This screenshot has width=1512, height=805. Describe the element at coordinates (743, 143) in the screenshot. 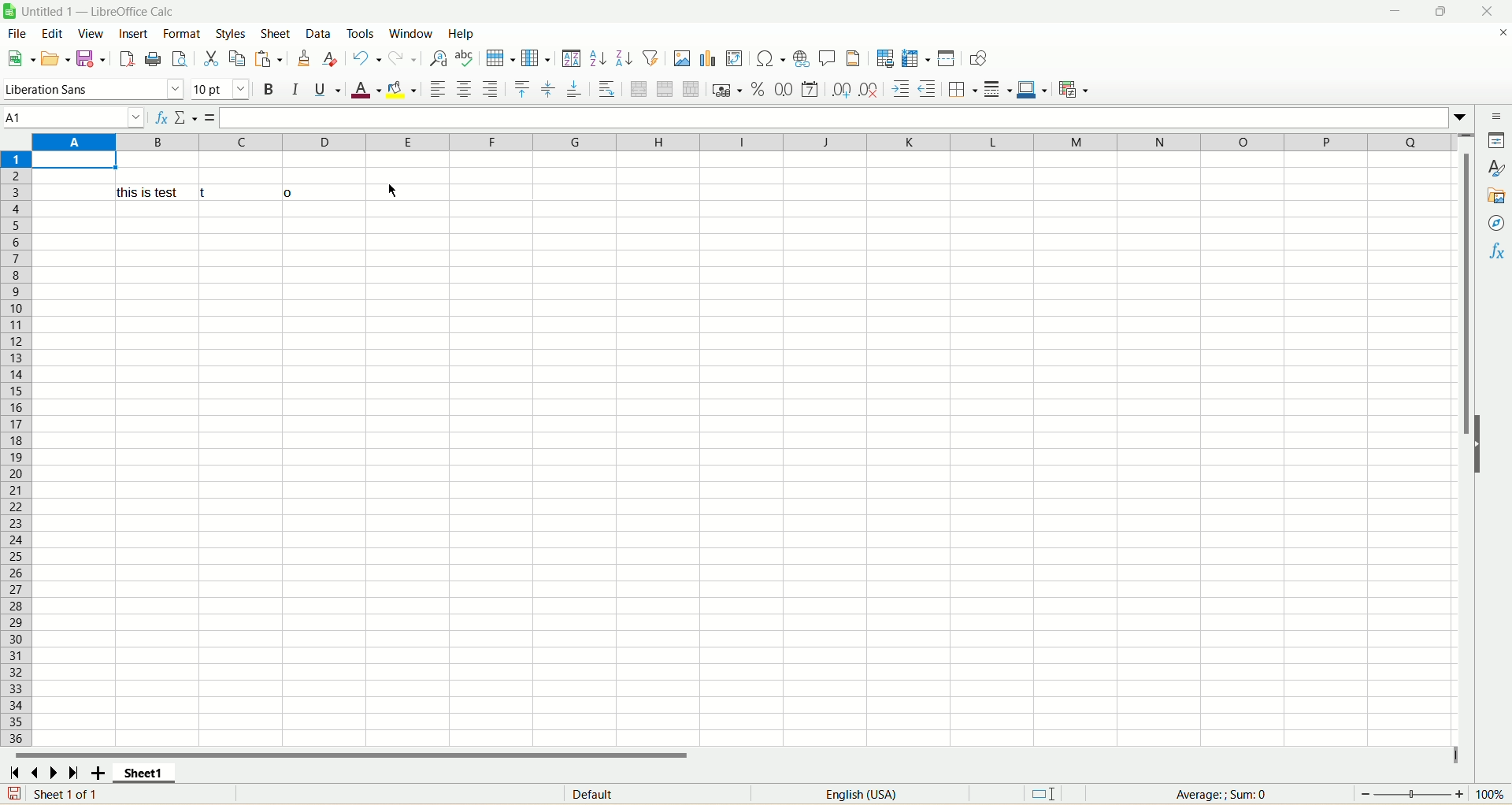

I see `column` at that location.